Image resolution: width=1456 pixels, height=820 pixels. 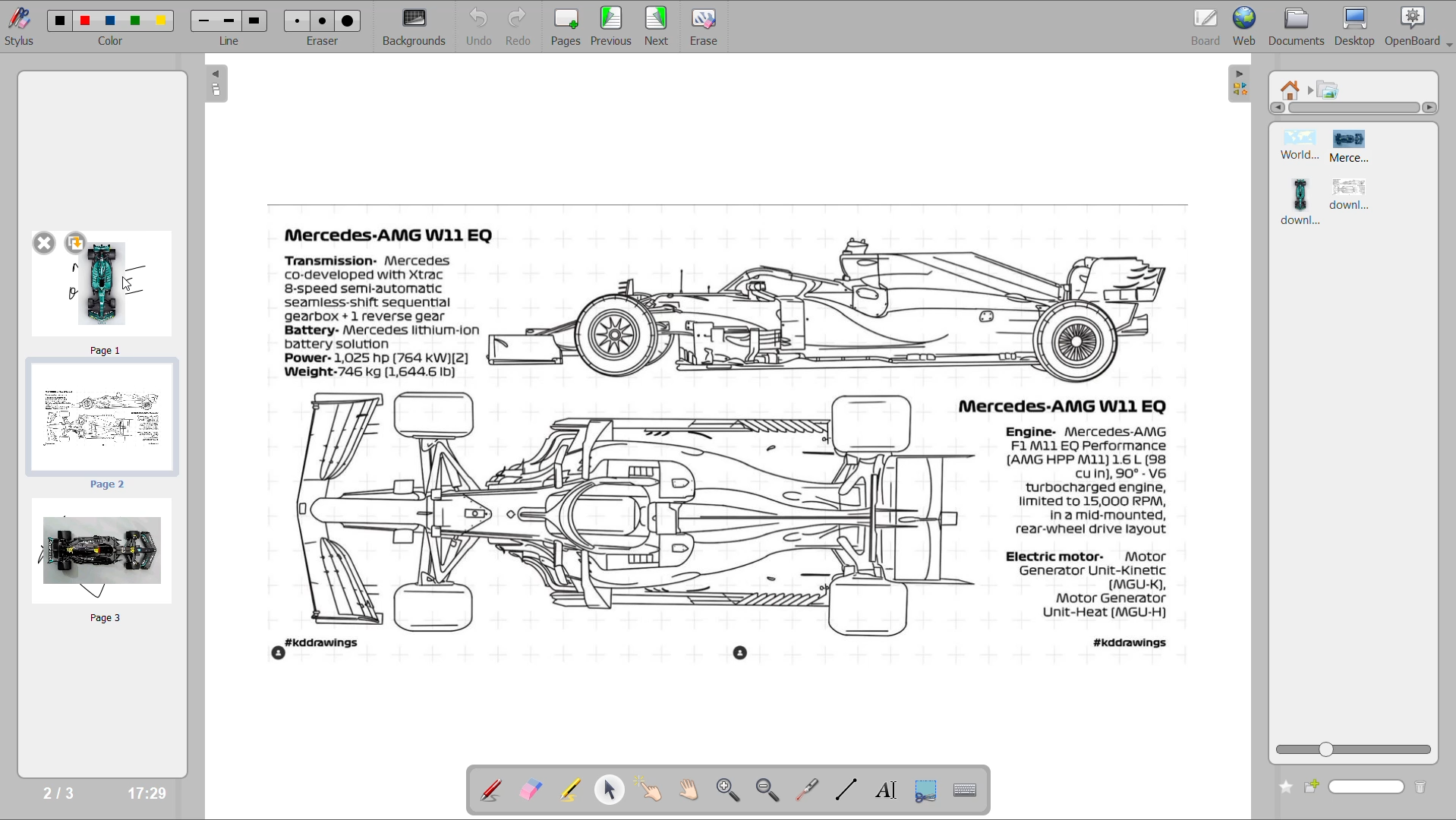 I want to click on create new folder, so click(x=1316, y=784).